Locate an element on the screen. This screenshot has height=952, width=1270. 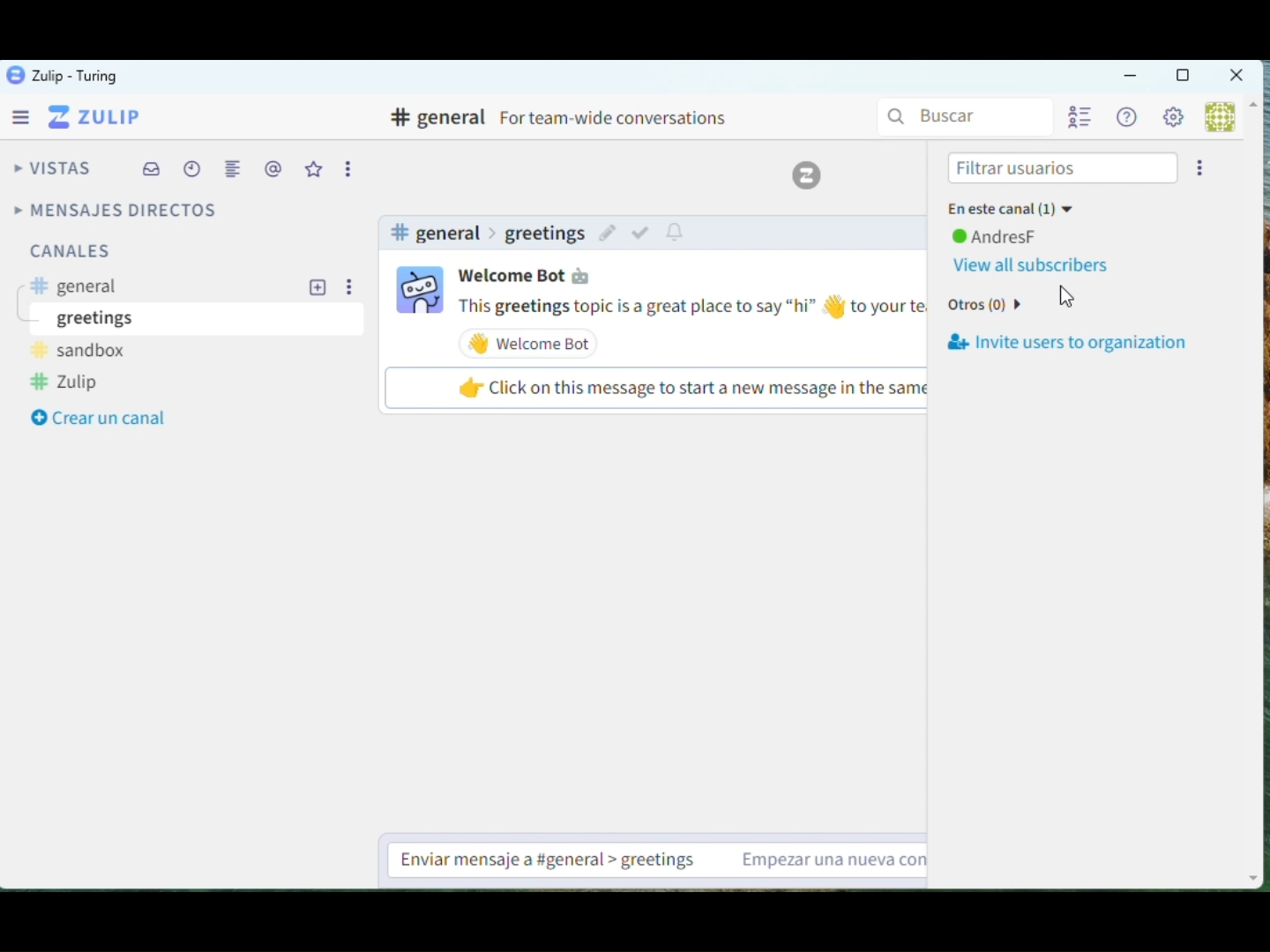
Menu is located at coordinates (25, 121).